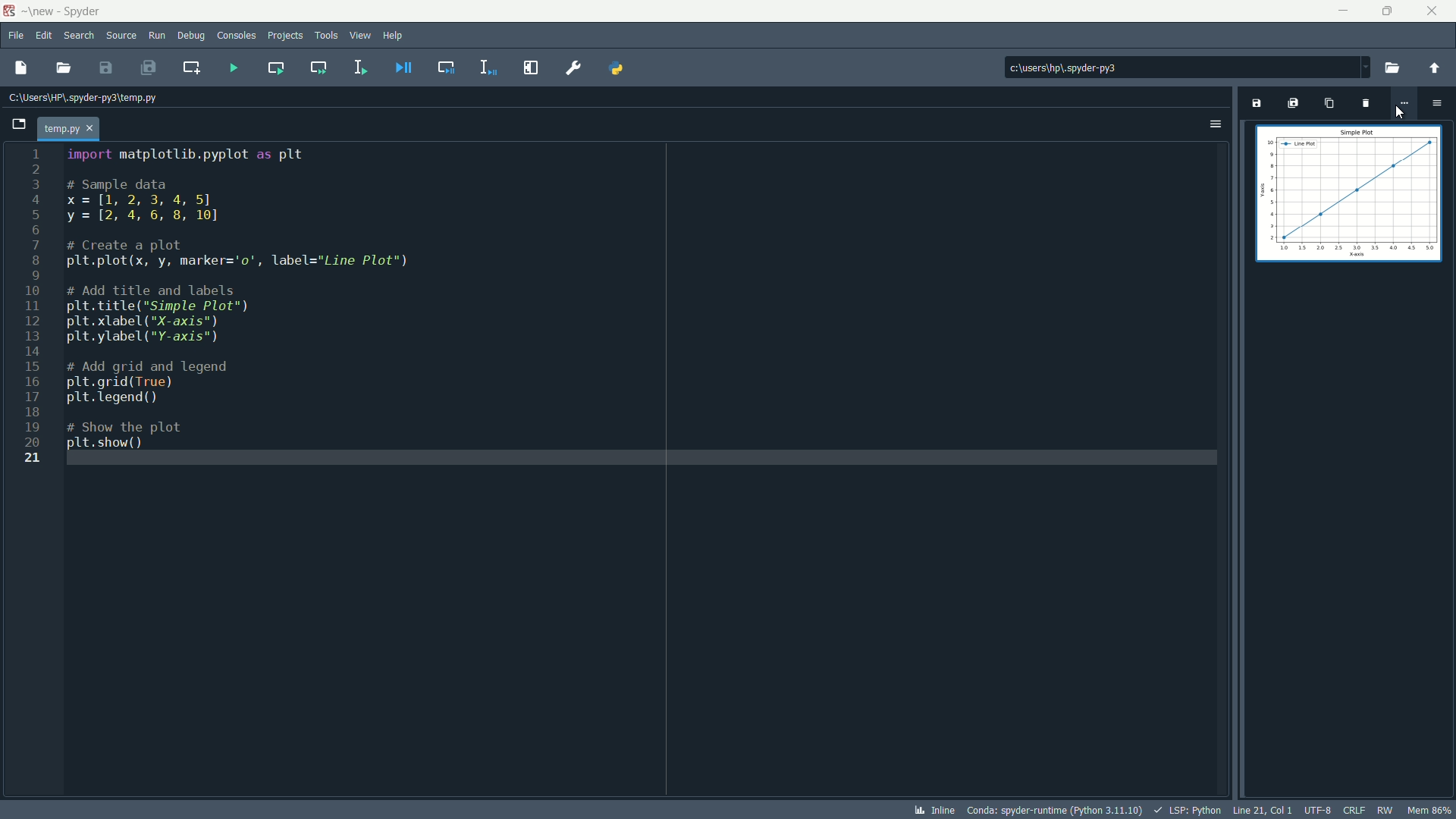  I want to click on debug cell, so click(444, 67).